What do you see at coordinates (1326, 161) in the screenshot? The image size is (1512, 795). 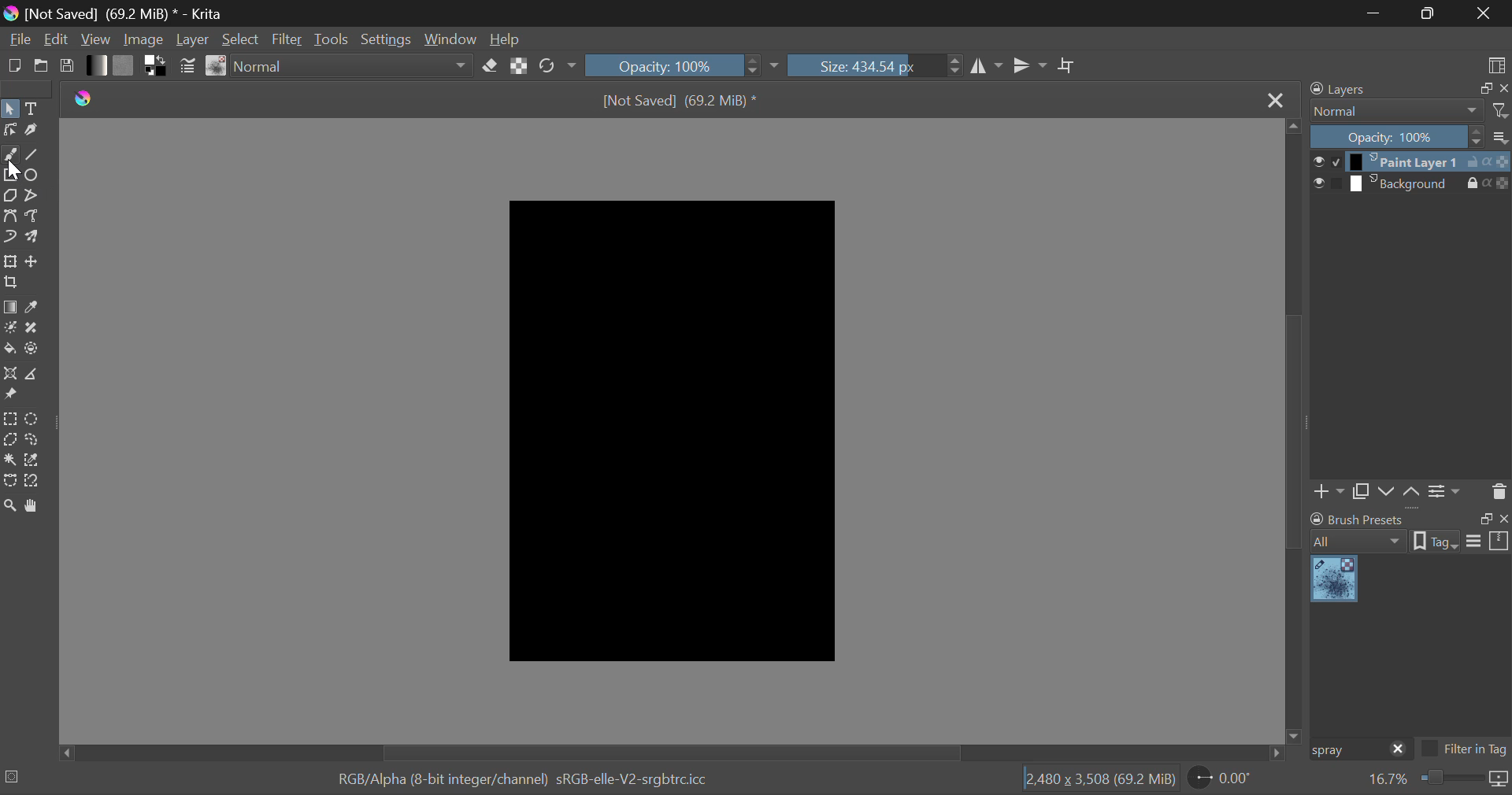 I see `checkbox` at bounding box center [1326, 161].